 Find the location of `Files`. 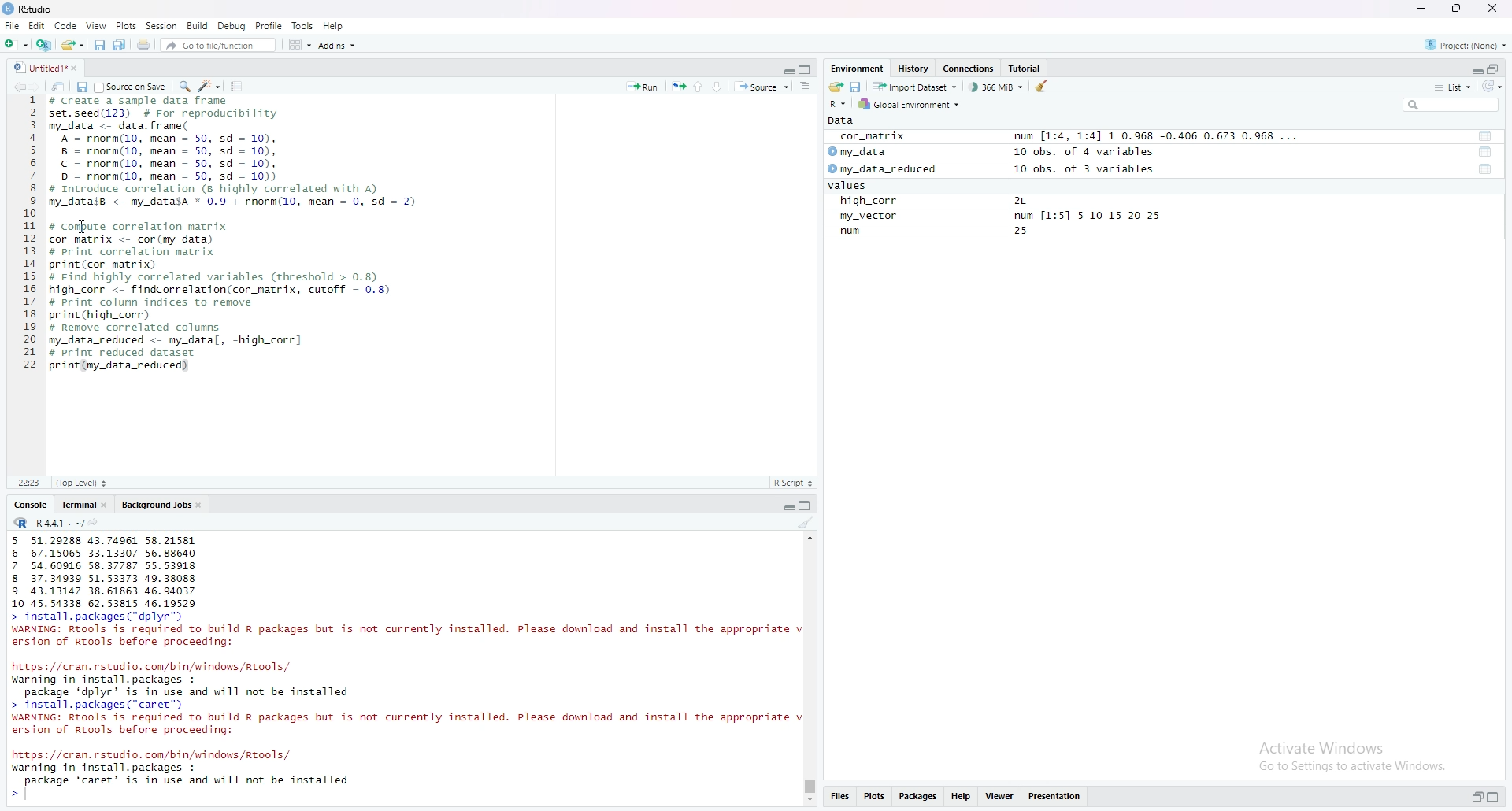

Files is located at coordinates (839, 796).